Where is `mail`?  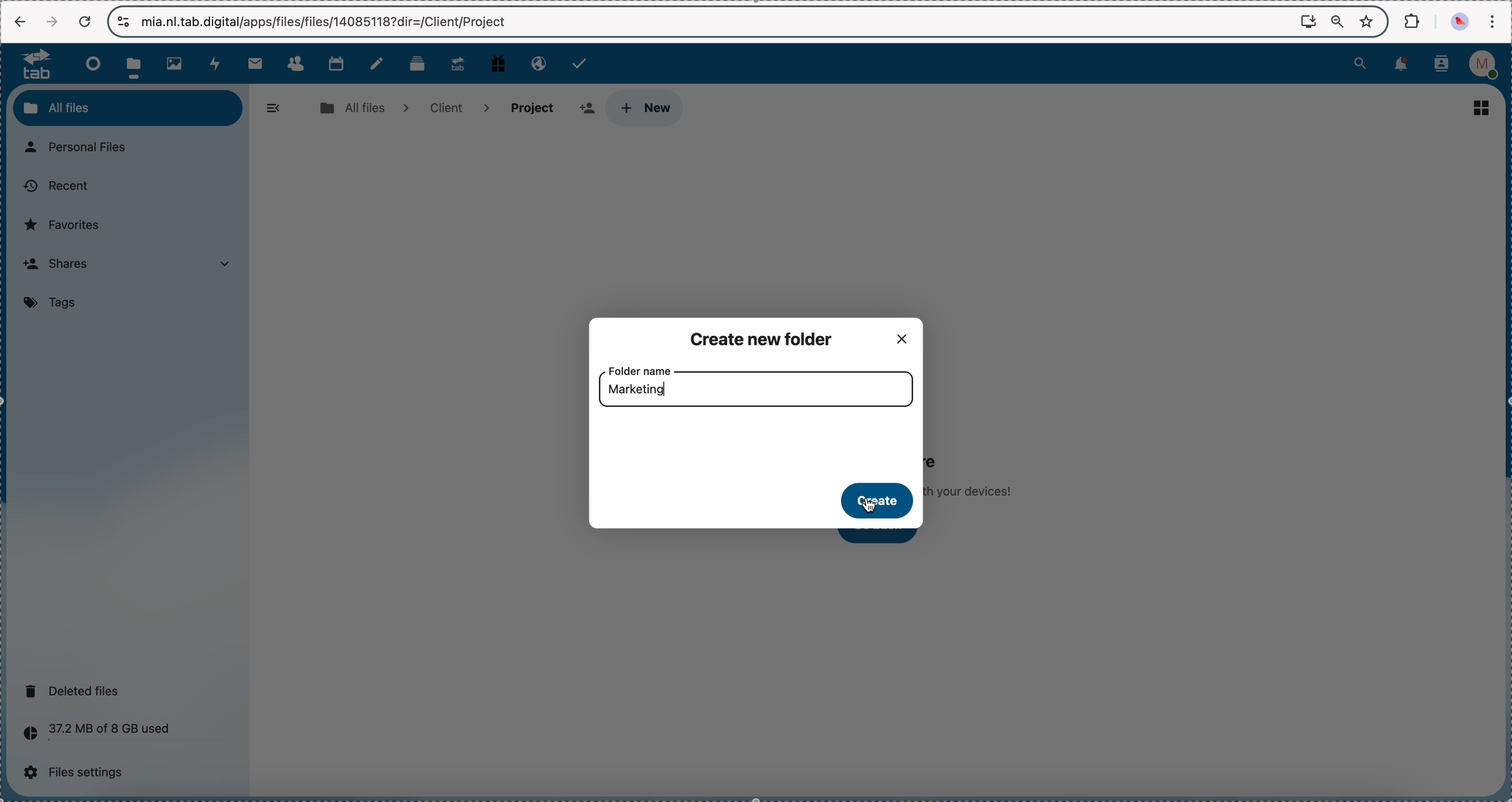
mail is located at coordinates (254, 63).